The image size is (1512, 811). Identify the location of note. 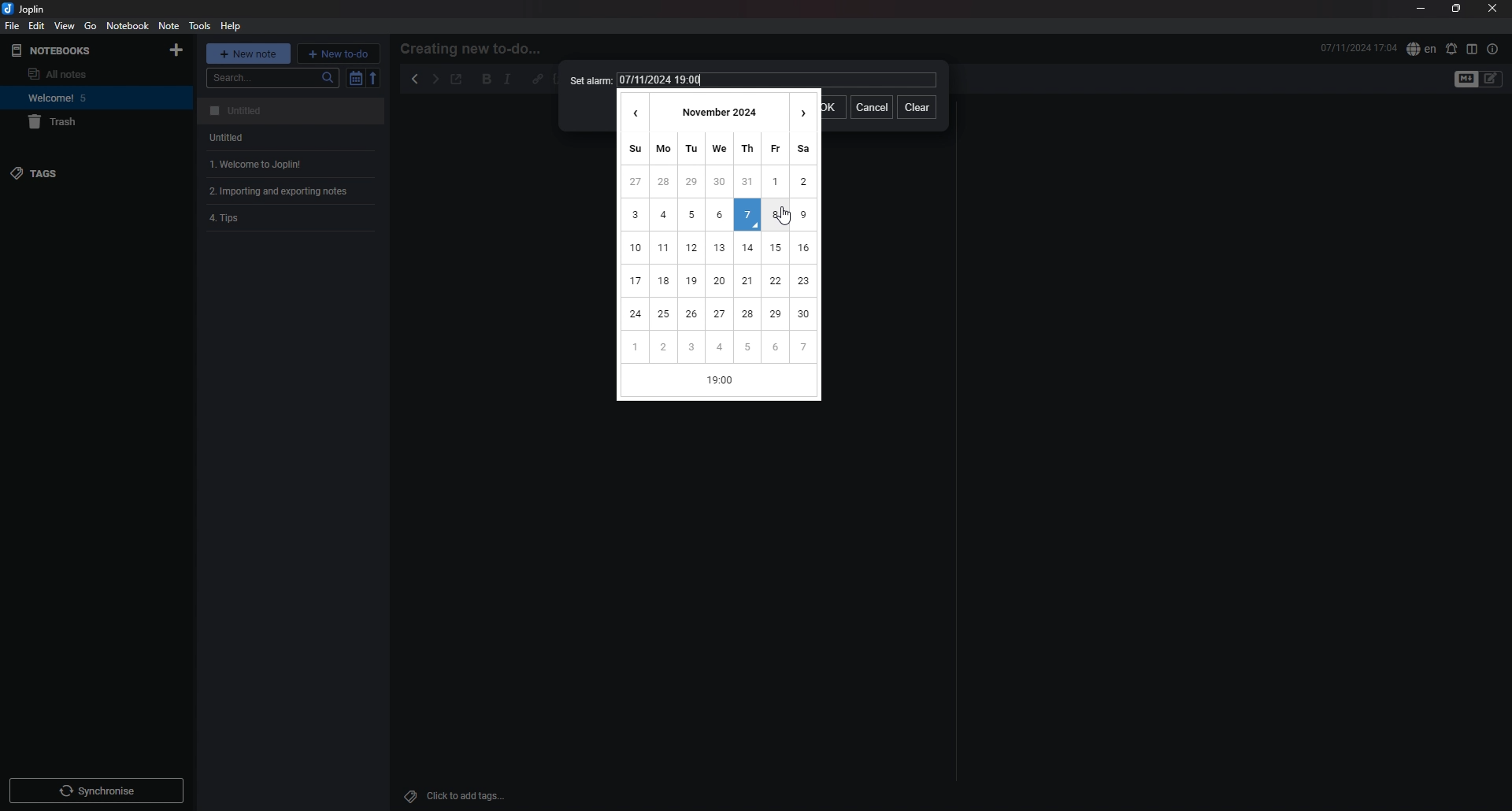
(169, 26).